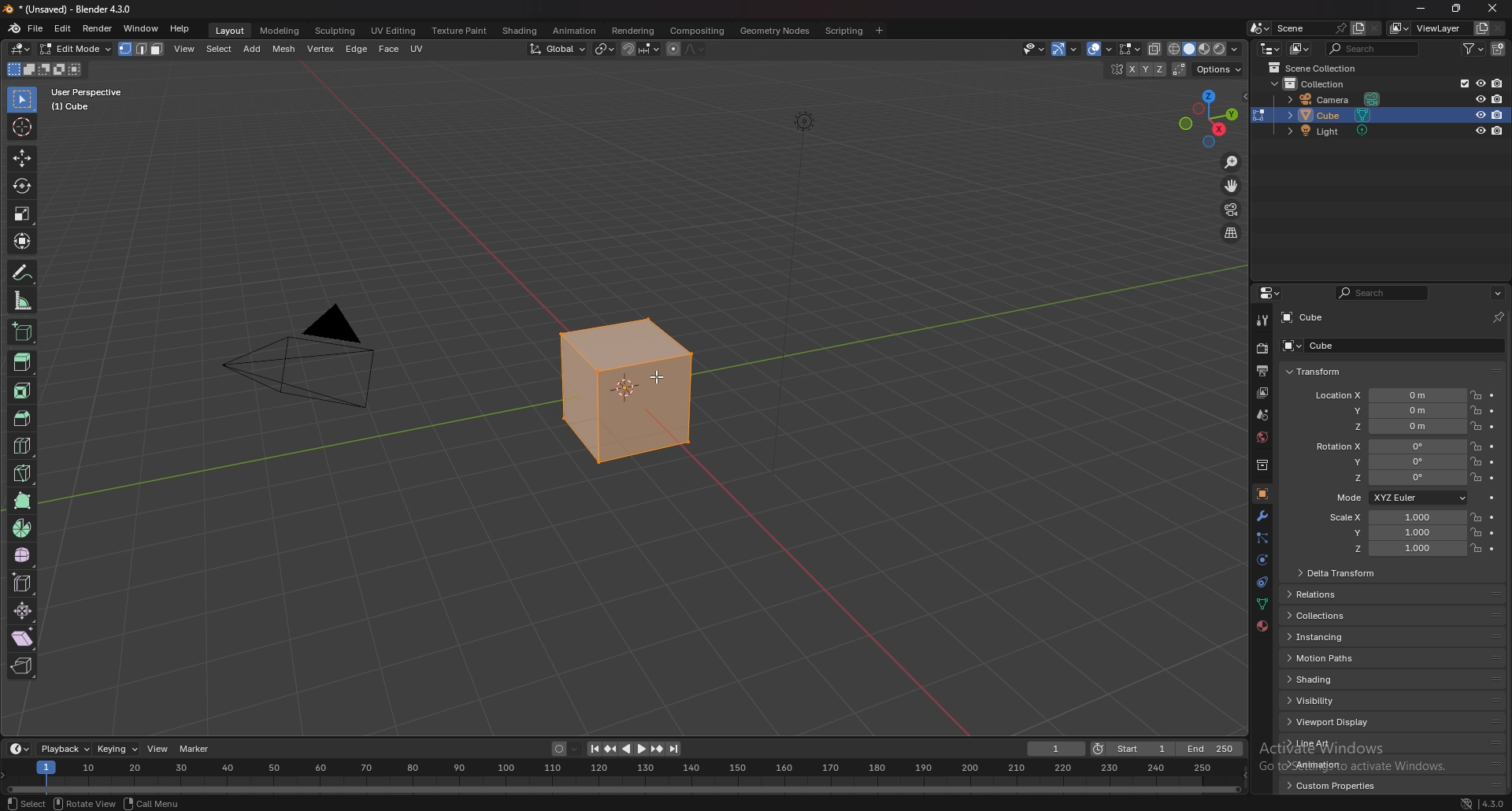 Image resolution: width=1512 pixels, height=811 pixels. Describe the element at coordinates (1421, 7) in the screenshot. I see `minimize` at that location.